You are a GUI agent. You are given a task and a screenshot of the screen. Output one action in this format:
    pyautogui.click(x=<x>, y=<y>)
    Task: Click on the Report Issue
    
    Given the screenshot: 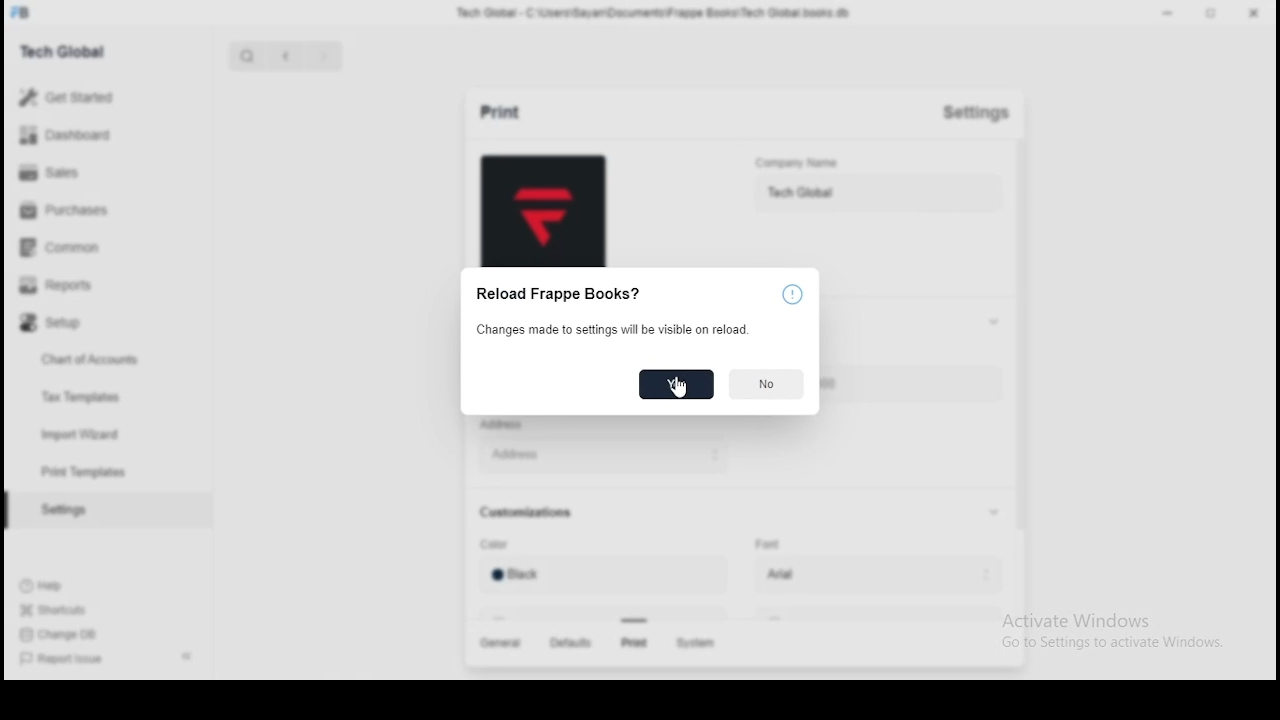 What is the action you would take?
    pyautogui.click(x=63, y=662)
    